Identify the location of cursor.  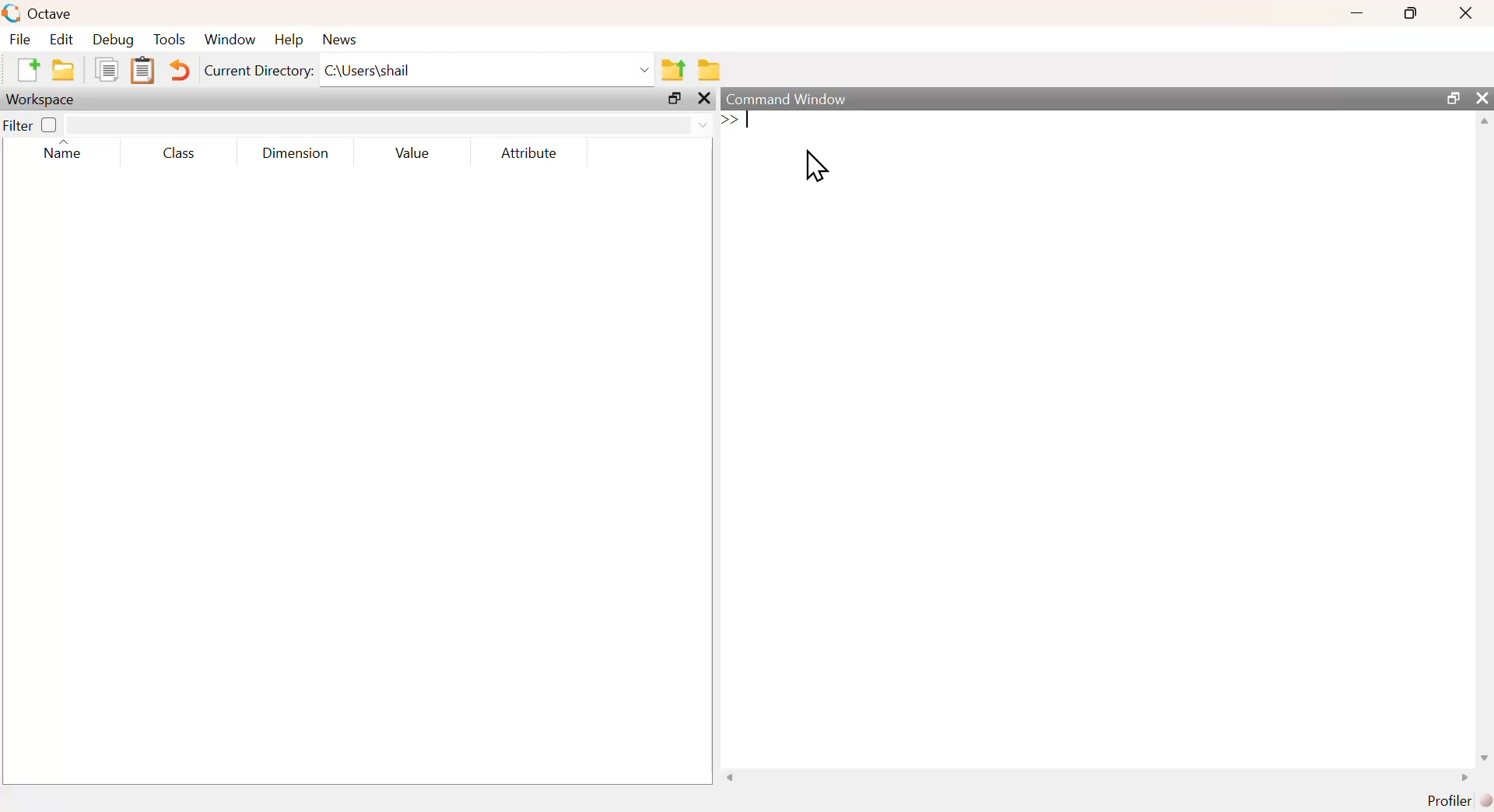
(815, 170).